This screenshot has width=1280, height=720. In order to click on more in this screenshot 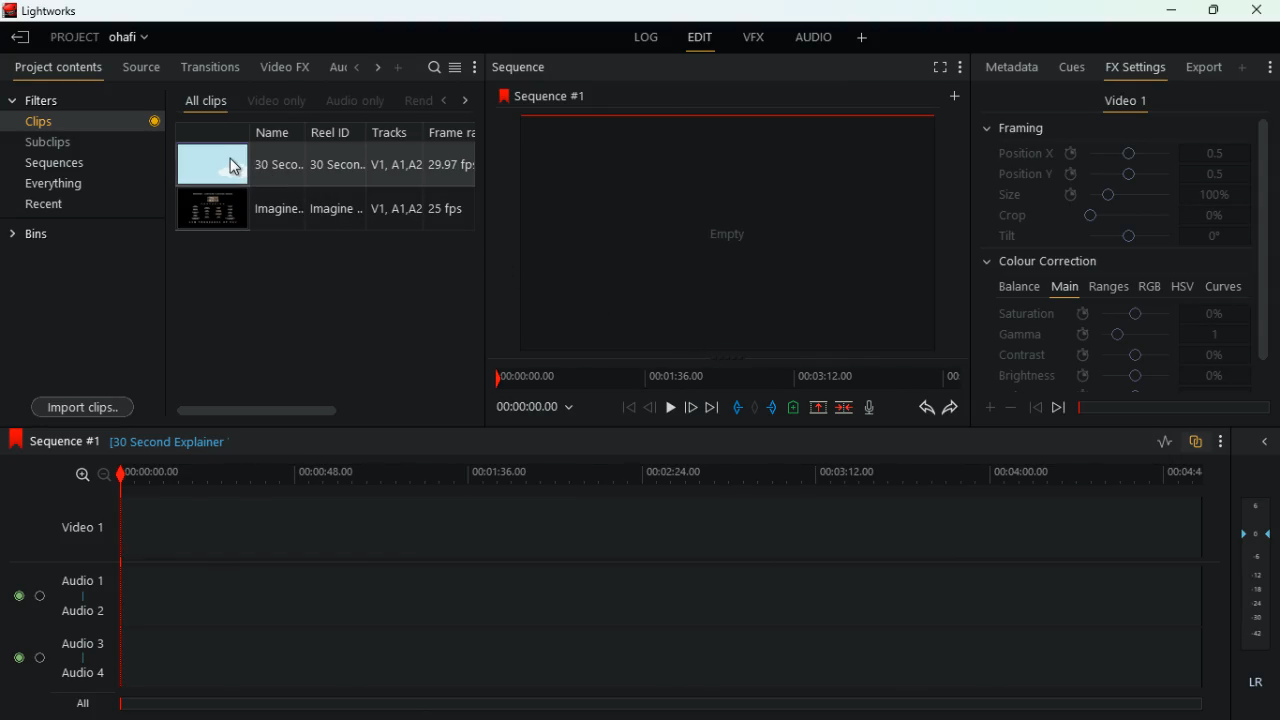, I will do `click(475, 67)`.